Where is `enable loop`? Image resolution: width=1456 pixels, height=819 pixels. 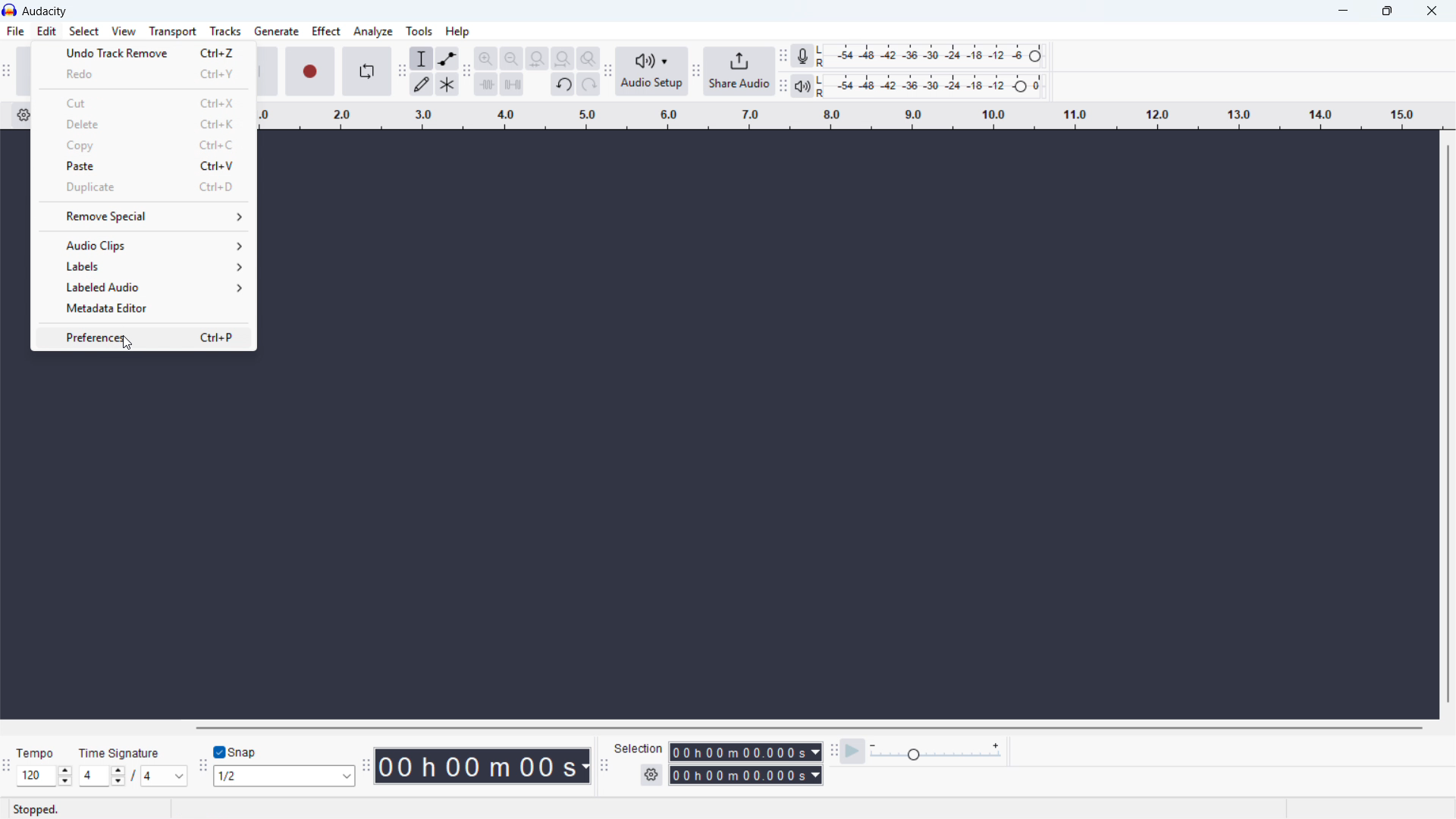 enable loop is located at coordinates (366, 72).